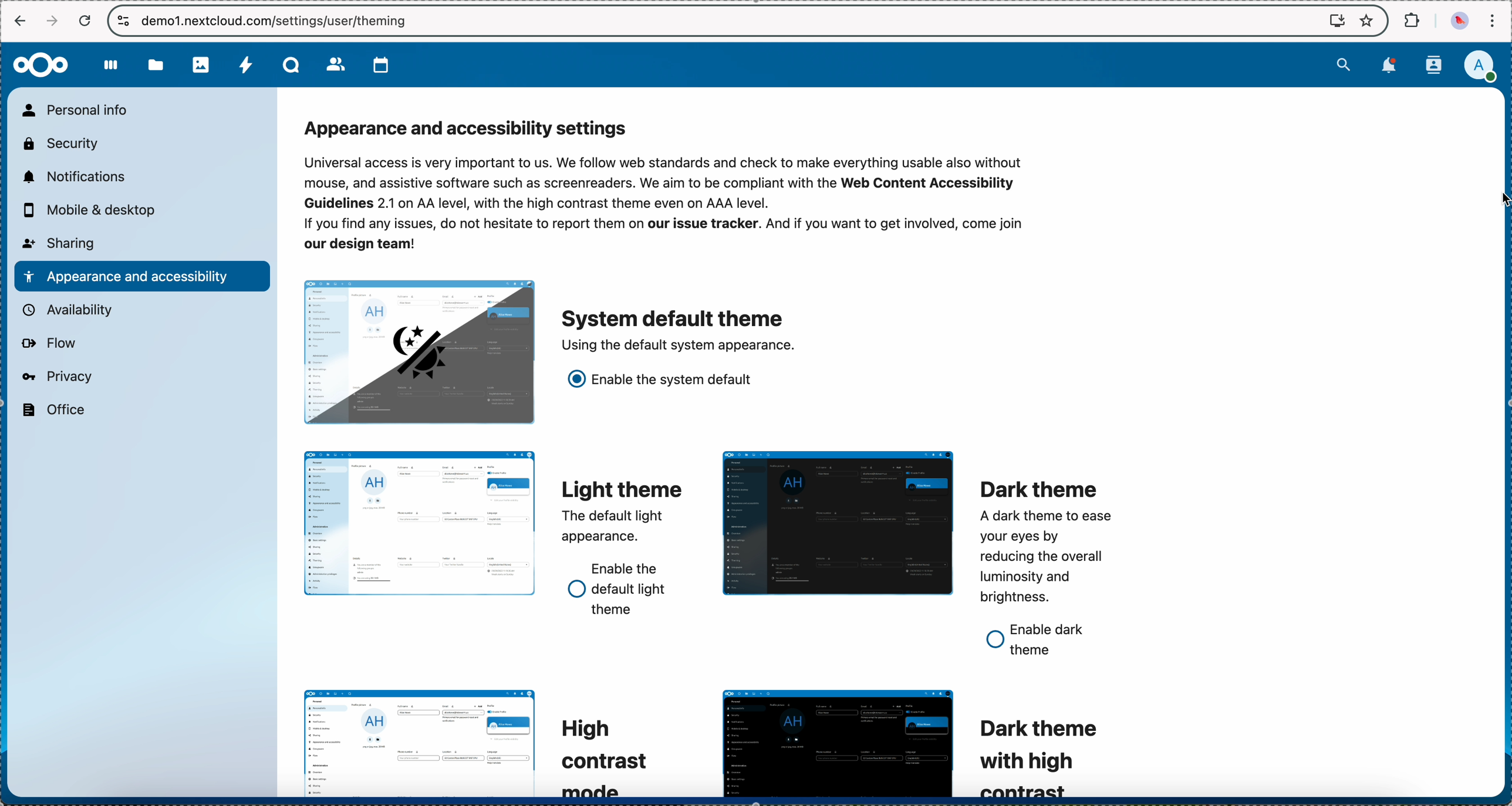  What do you see at coordinates (619, 589) in the screenshot?
I see `enable the default light theme option` at bounding box center [619, 589].